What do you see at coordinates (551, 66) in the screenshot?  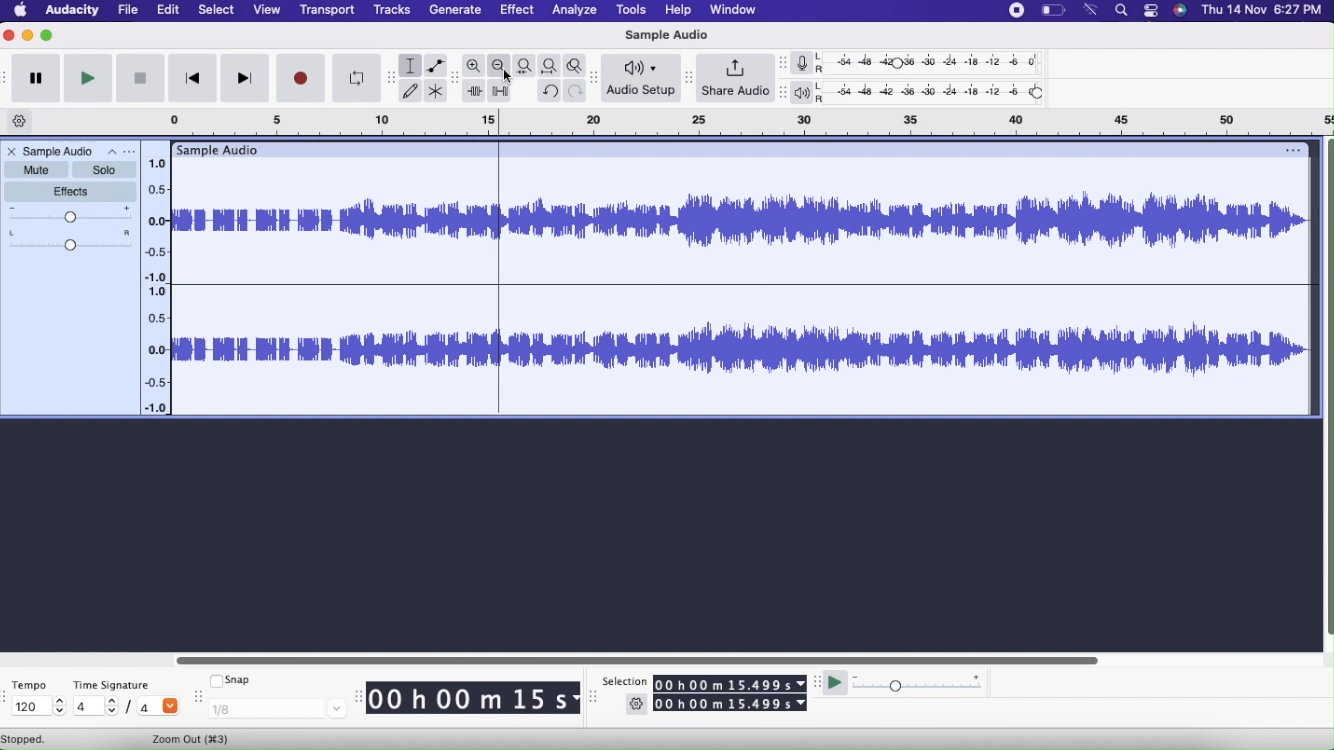 I see `Fit Project to width` at bounding box center [551, 66].